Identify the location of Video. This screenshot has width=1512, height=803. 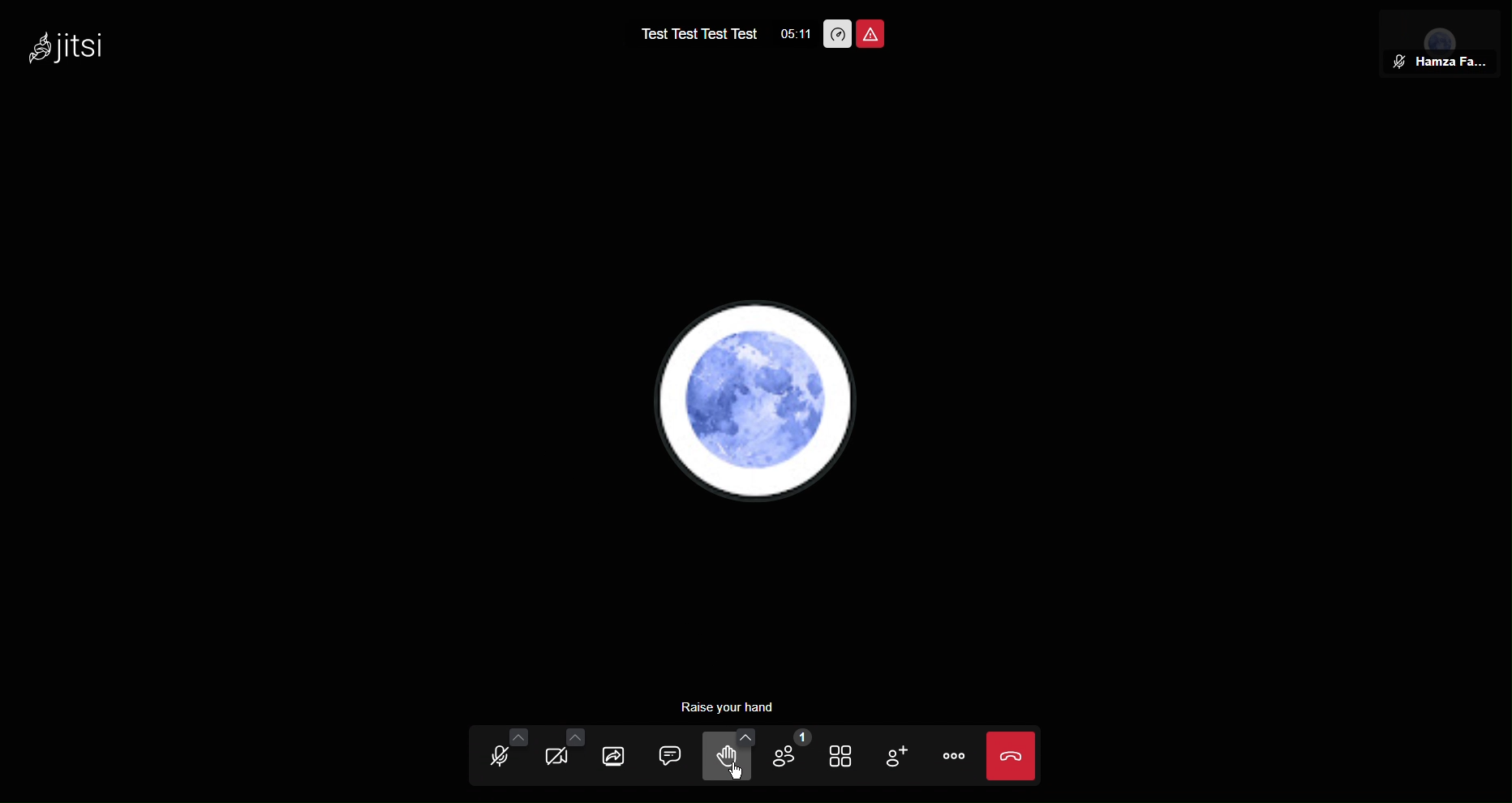
(565, 753).